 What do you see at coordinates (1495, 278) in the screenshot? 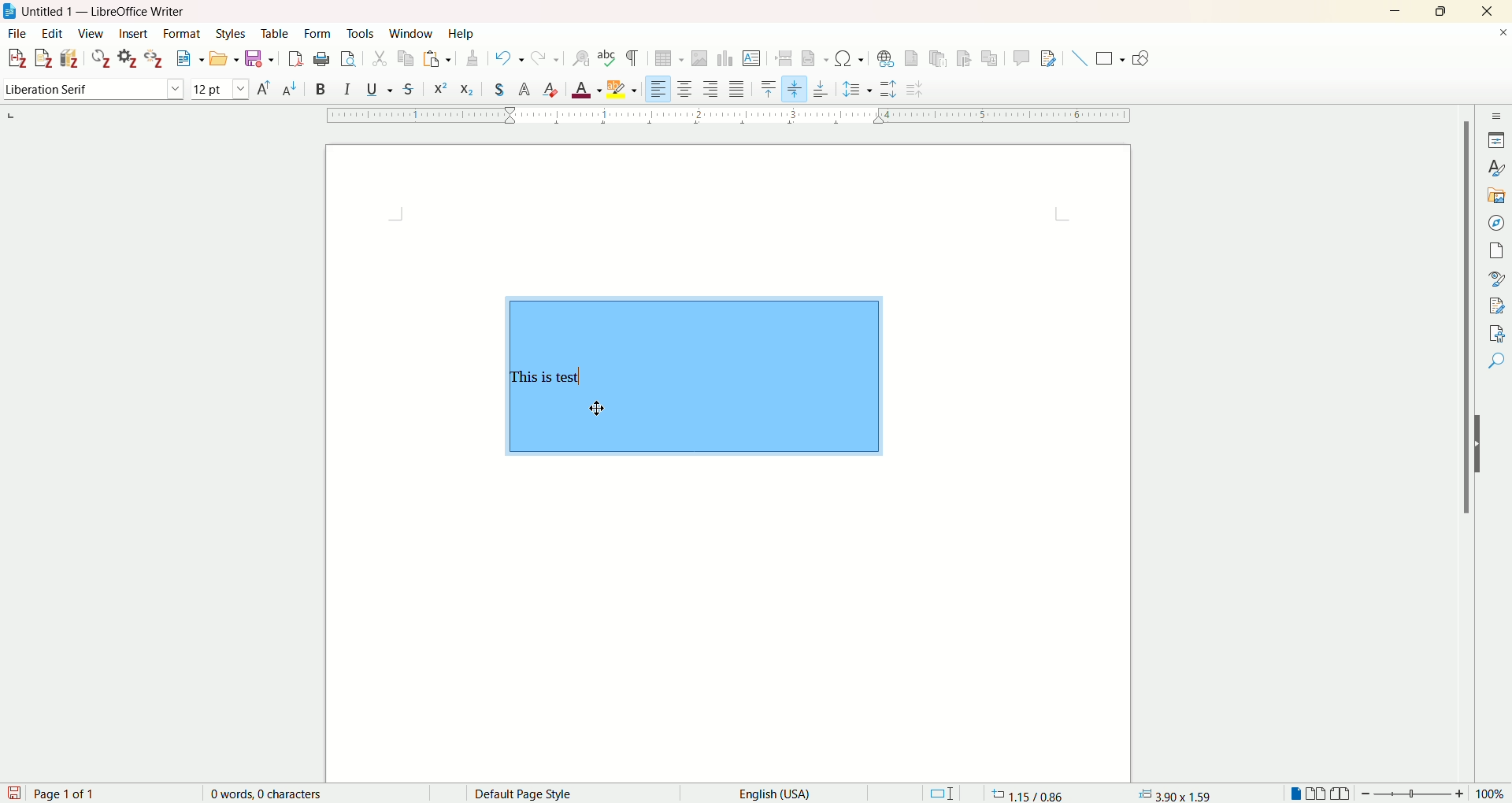
I see `style inspector` at bounding box center [1495, 278].